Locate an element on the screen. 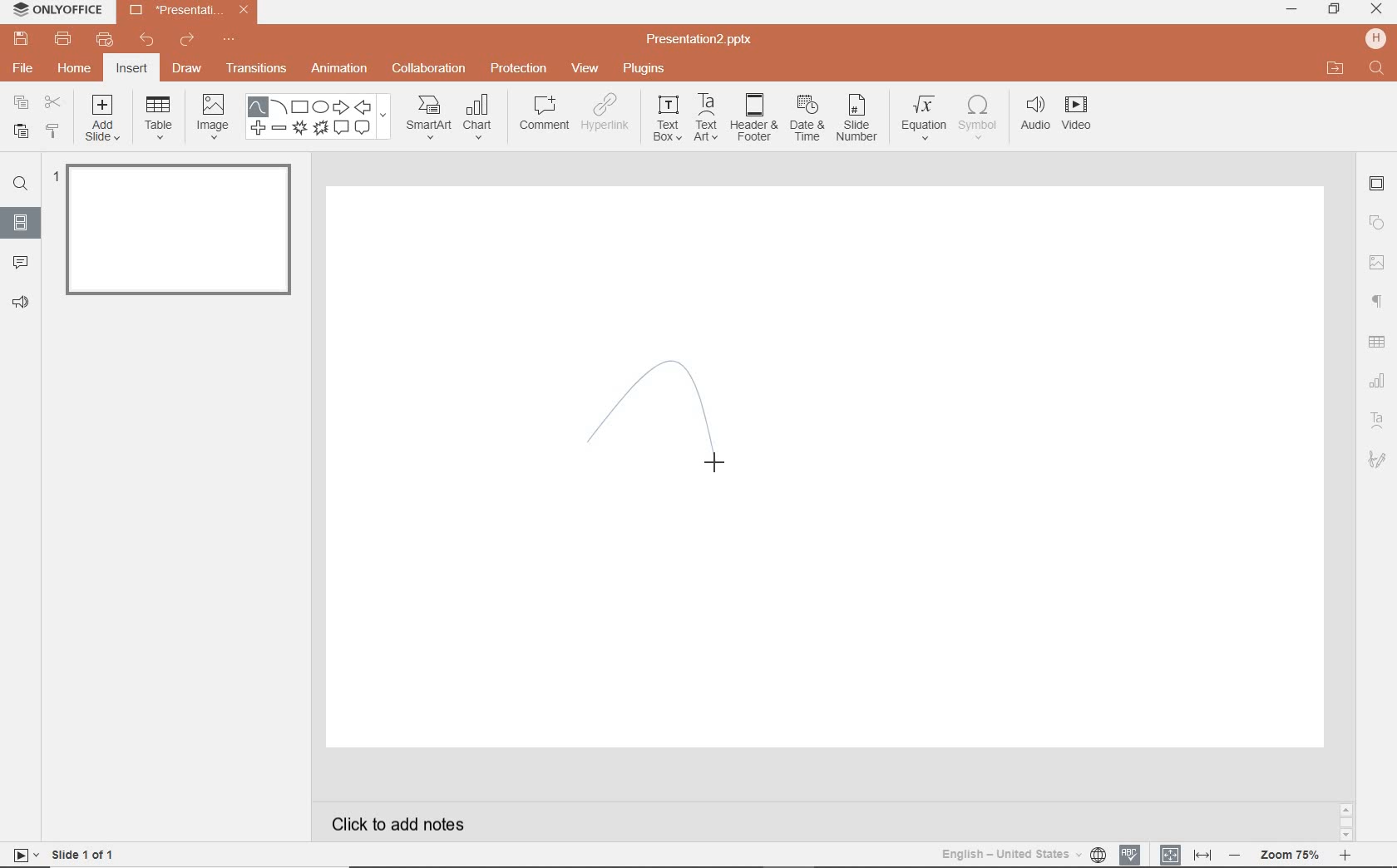 The image size is (1397, 868). QUICK PRINT is located at coordinates (103, 40).